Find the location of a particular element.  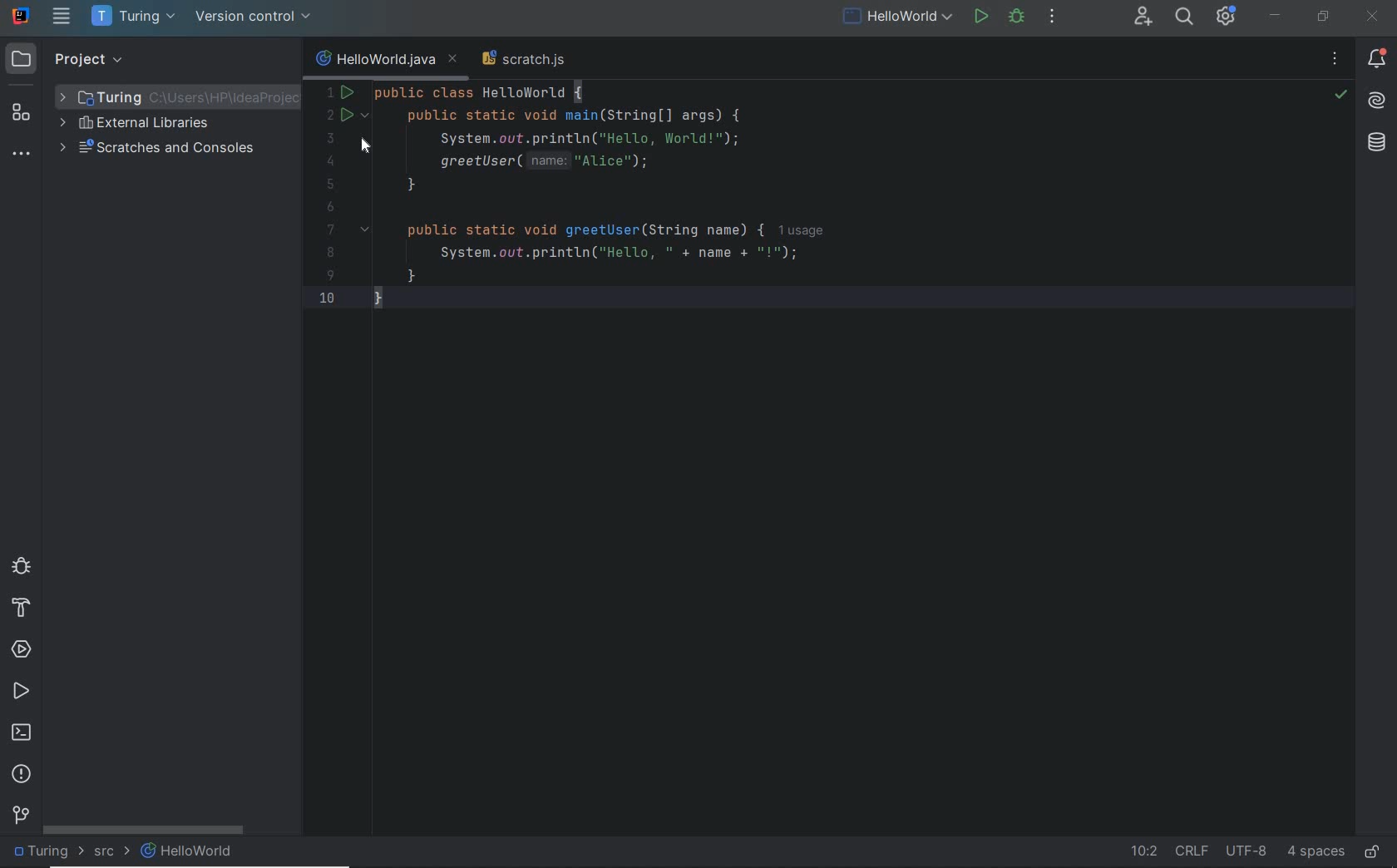

file encoding is located at coordinates (1245, 851).